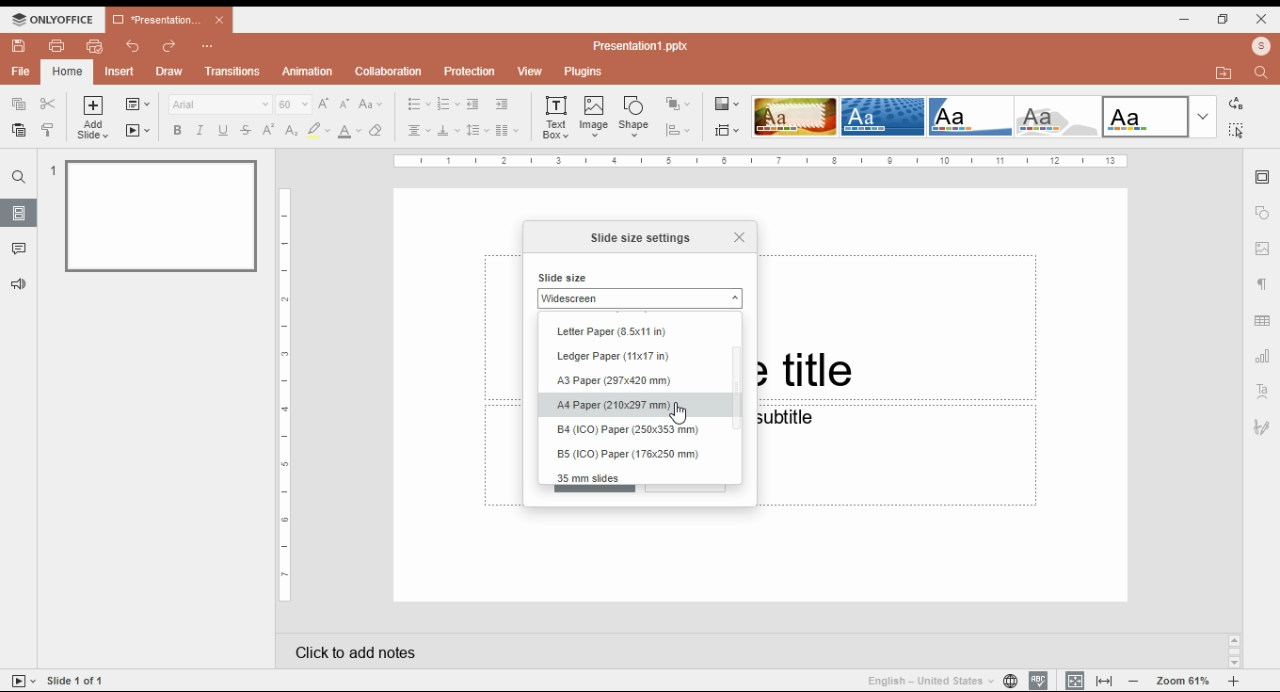 Image resolution: width=1280 pixels, height=692 pixels. I want to click on Cursor, so click(678, 413).